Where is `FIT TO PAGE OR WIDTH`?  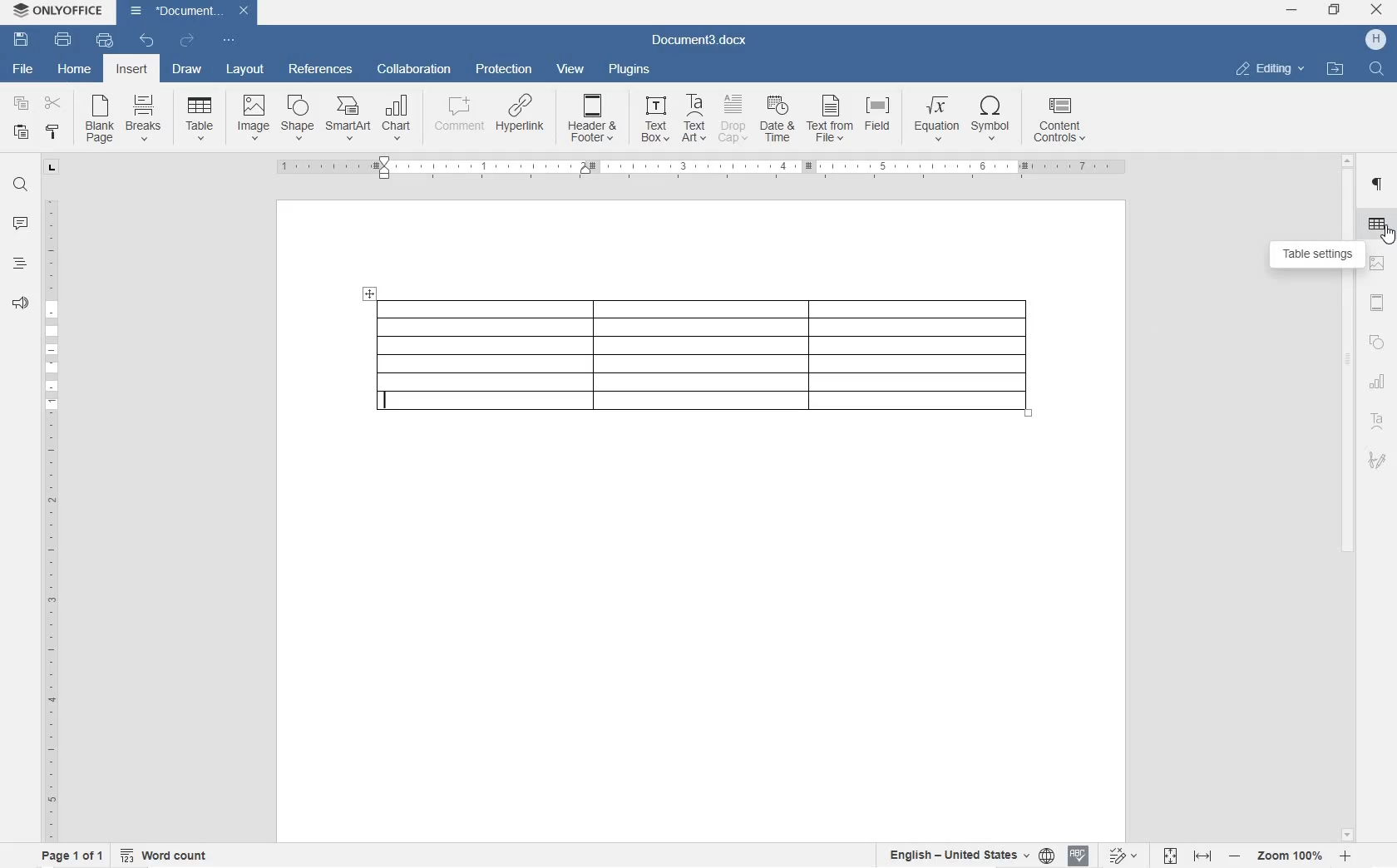 FIT TO PAGE OR WIDTH is located at coordinates (1184, 857).